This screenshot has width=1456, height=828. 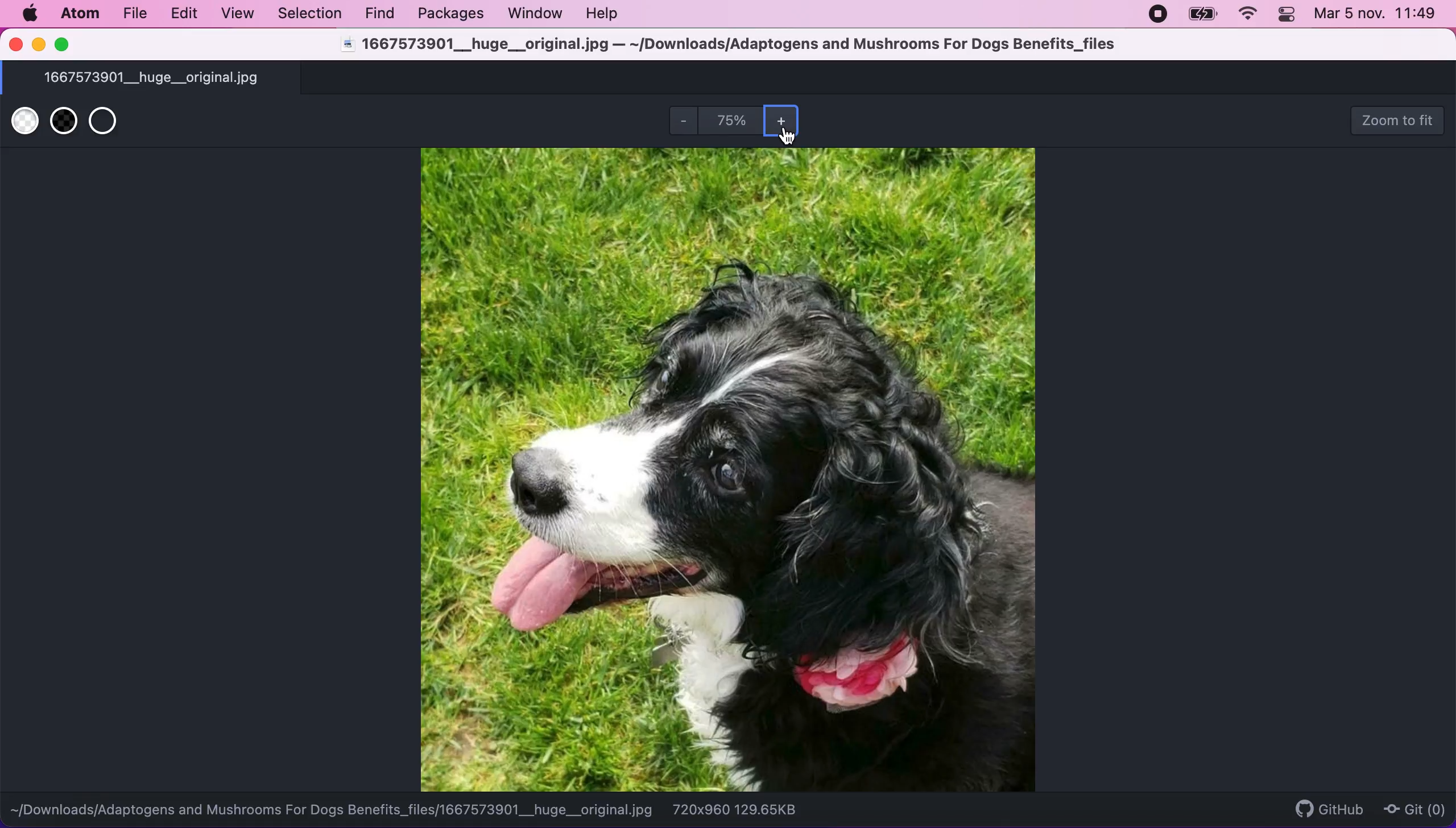 What do you see at coordinates (452, 14) in the screenshot?
I see `packages` at bounding box center [452, 14].